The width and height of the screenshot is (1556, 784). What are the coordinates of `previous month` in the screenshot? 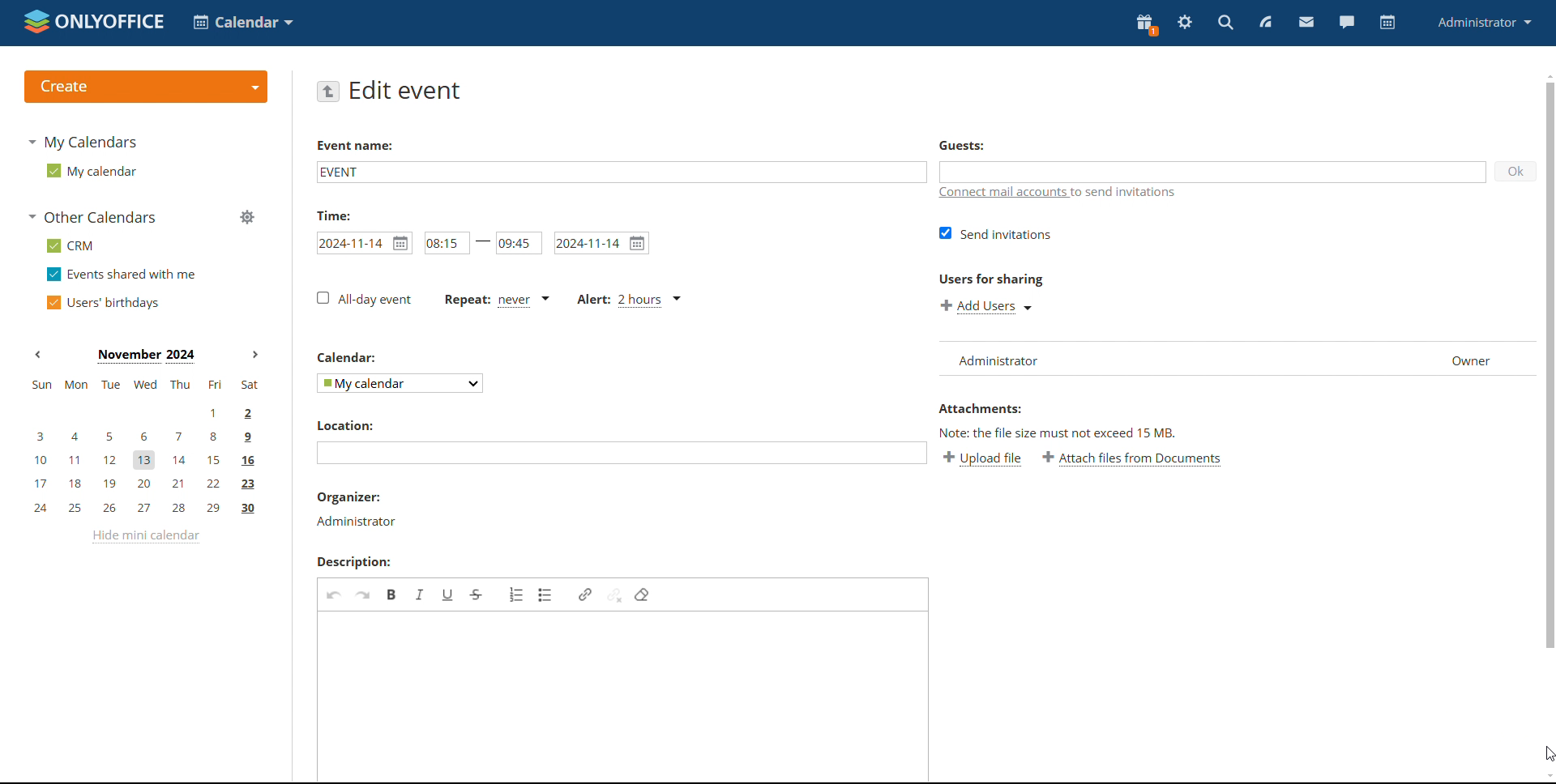 It's located at (38, 354).